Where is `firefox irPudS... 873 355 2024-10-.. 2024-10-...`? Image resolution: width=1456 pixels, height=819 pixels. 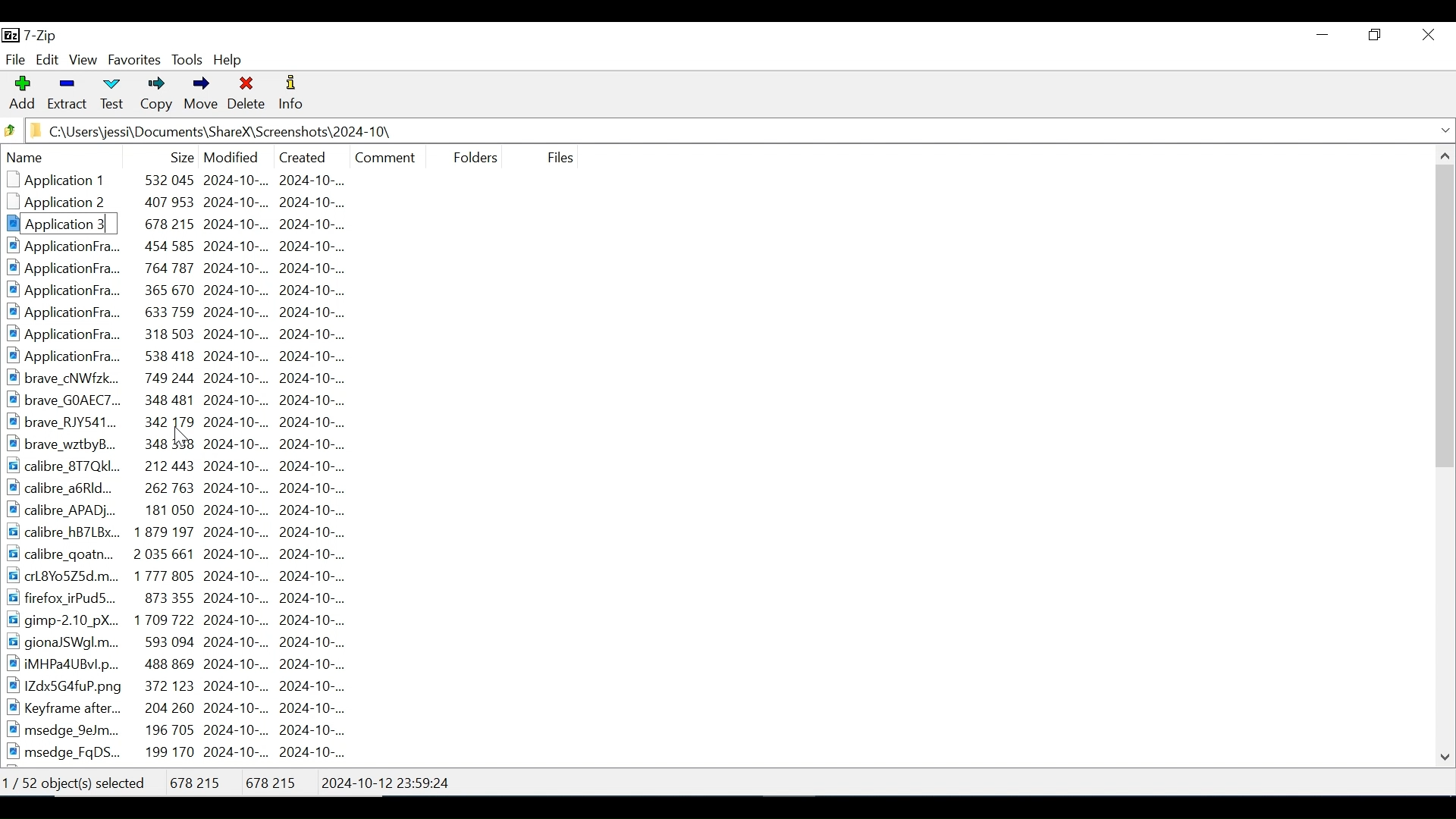 firefox irPudS... 873 355 2024-10-.. 2024-10-... is located at coordinates (187, 596).